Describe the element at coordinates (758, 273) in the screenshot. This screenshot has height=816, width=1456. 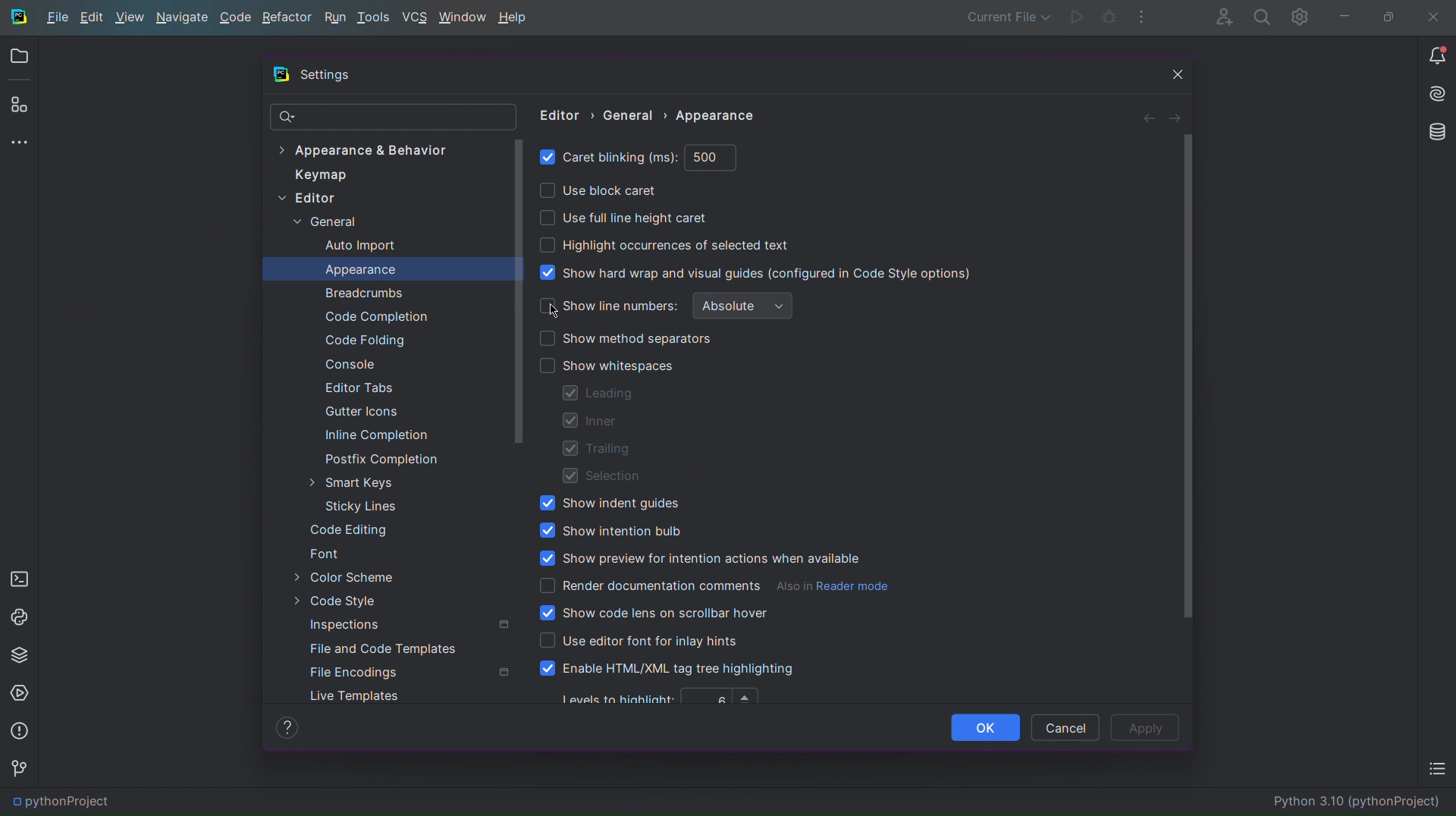
I see `Show hard wrap and visual guides` at that location.